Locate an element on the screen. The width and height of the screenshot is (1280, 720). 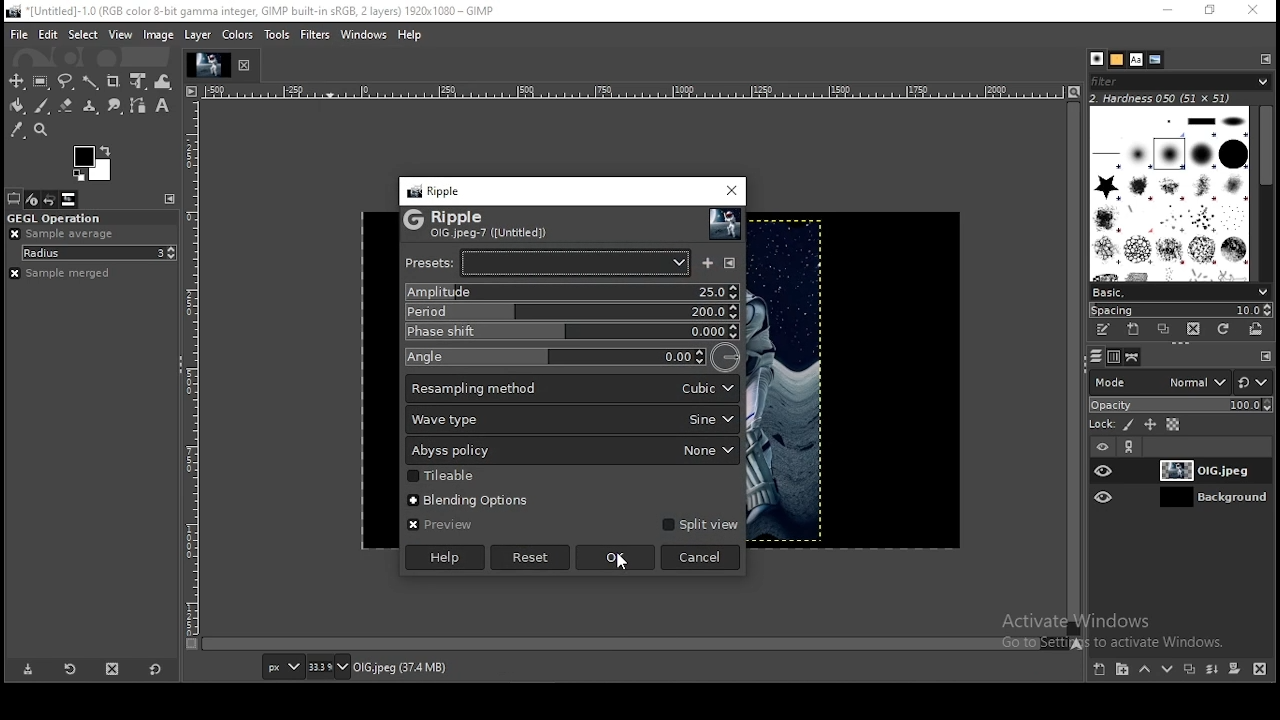
fonts is located at coordinates (1136, 60).